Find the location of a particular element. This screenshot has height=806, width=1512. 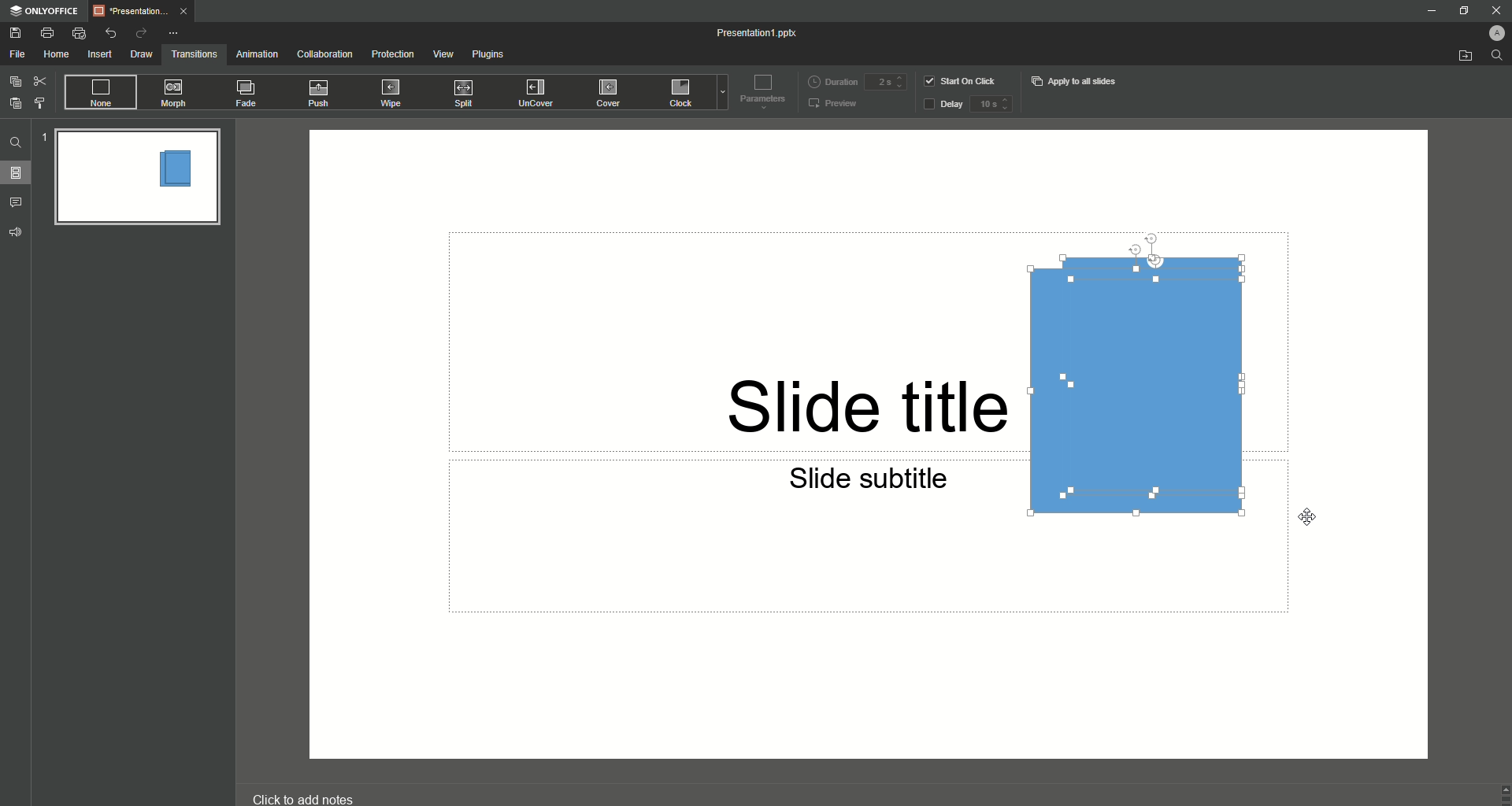

Save is located at coordinates (16, 33).